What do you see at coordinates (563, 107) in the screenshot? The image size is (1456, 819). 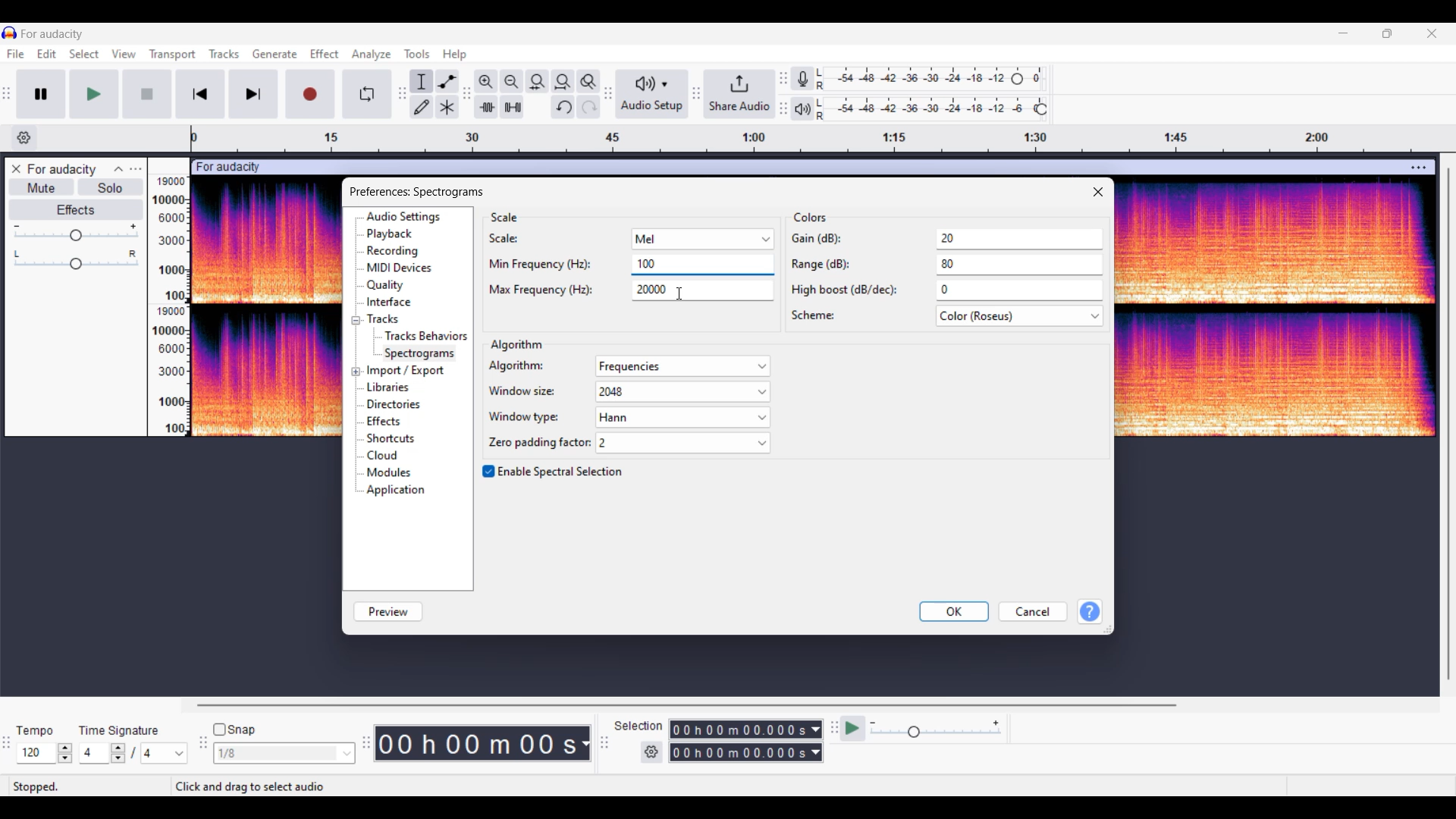 I see `Undo` at bounding box center [563, 107].